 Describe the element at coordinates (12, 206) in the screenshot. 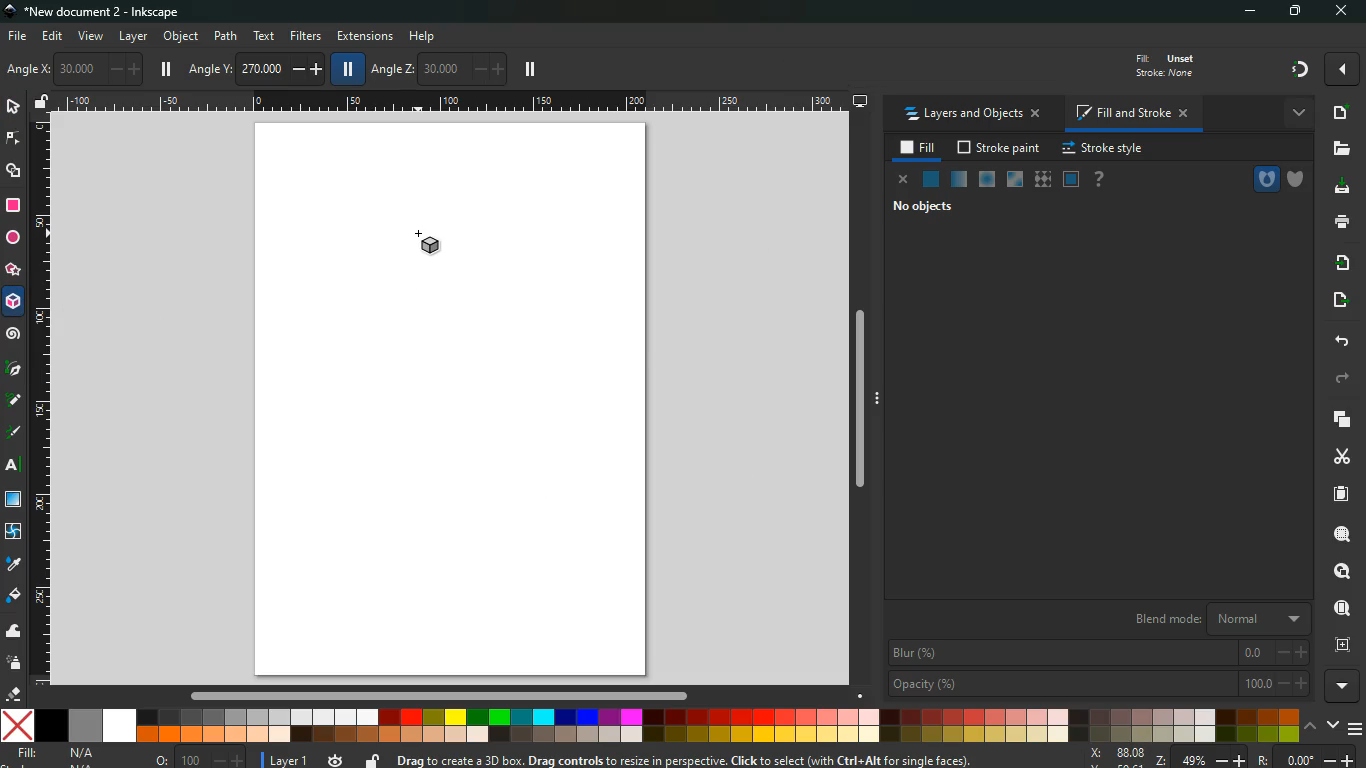

I see `rectangle` at that location.